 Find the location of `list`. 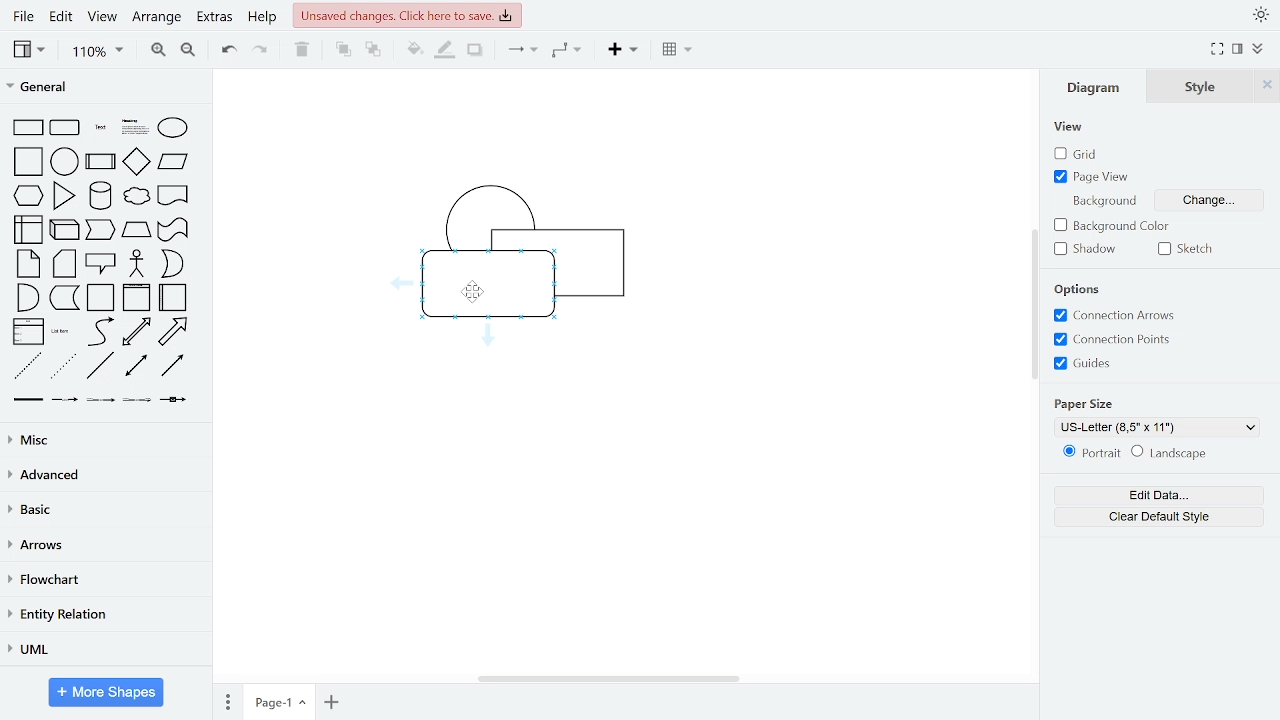

list is located at coordinates (26, 332).